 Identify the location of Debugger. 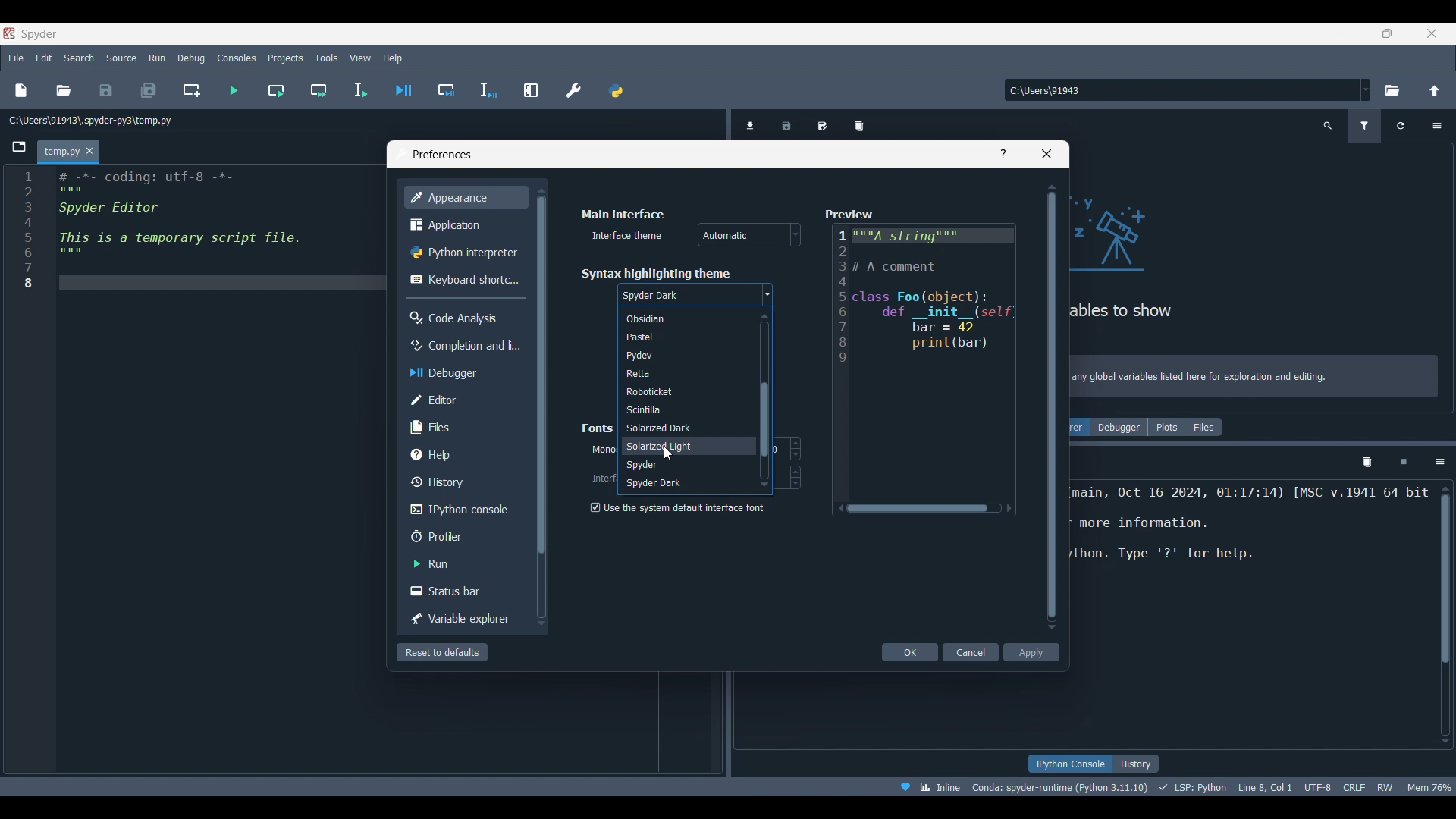
(464, 373).